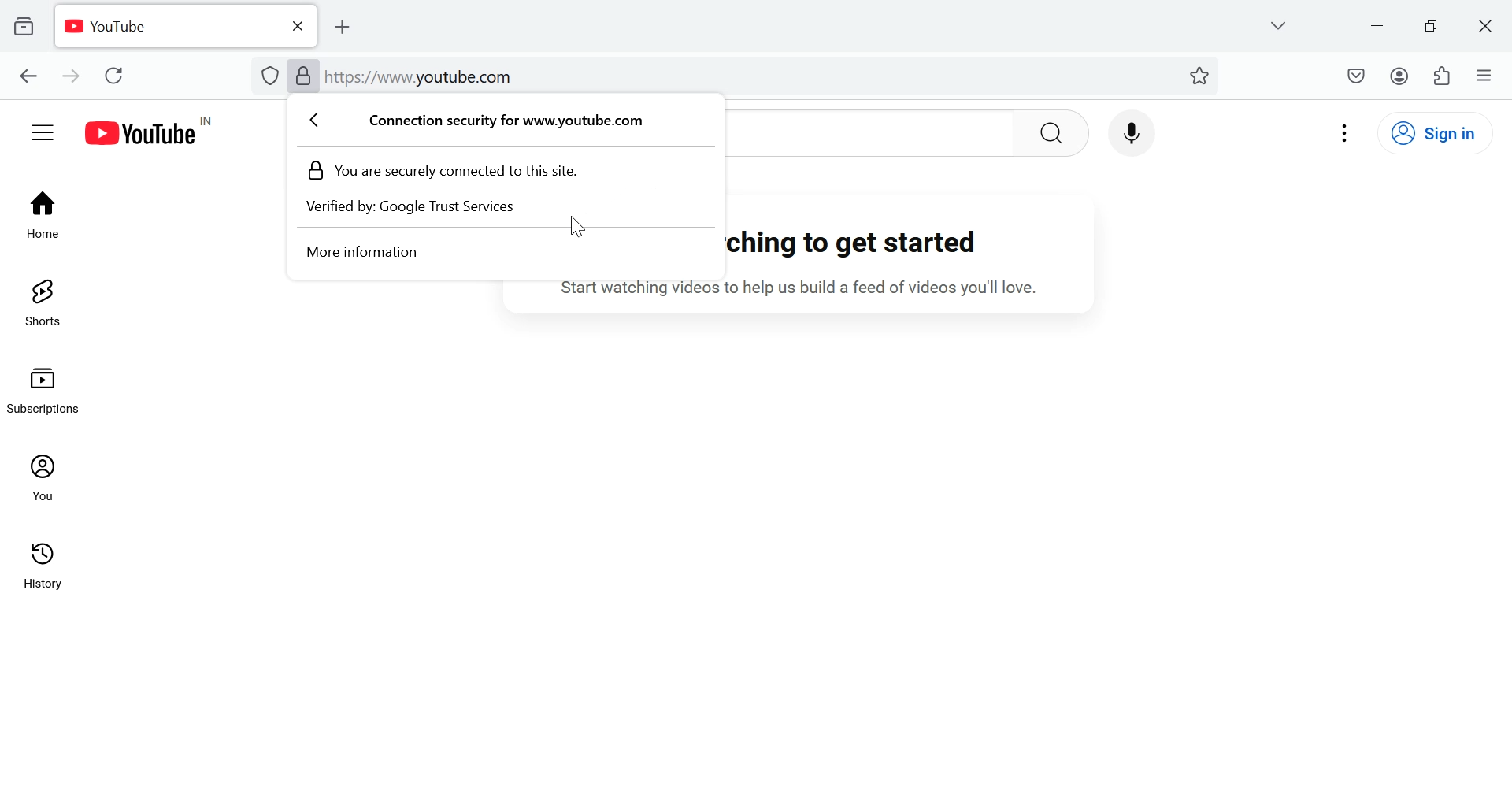 The width and height of the screenshot is (1512, 794). What do you see at coordinates (360, 255) in the screenshot?
I see `More information` at bounding box center [360, 255].